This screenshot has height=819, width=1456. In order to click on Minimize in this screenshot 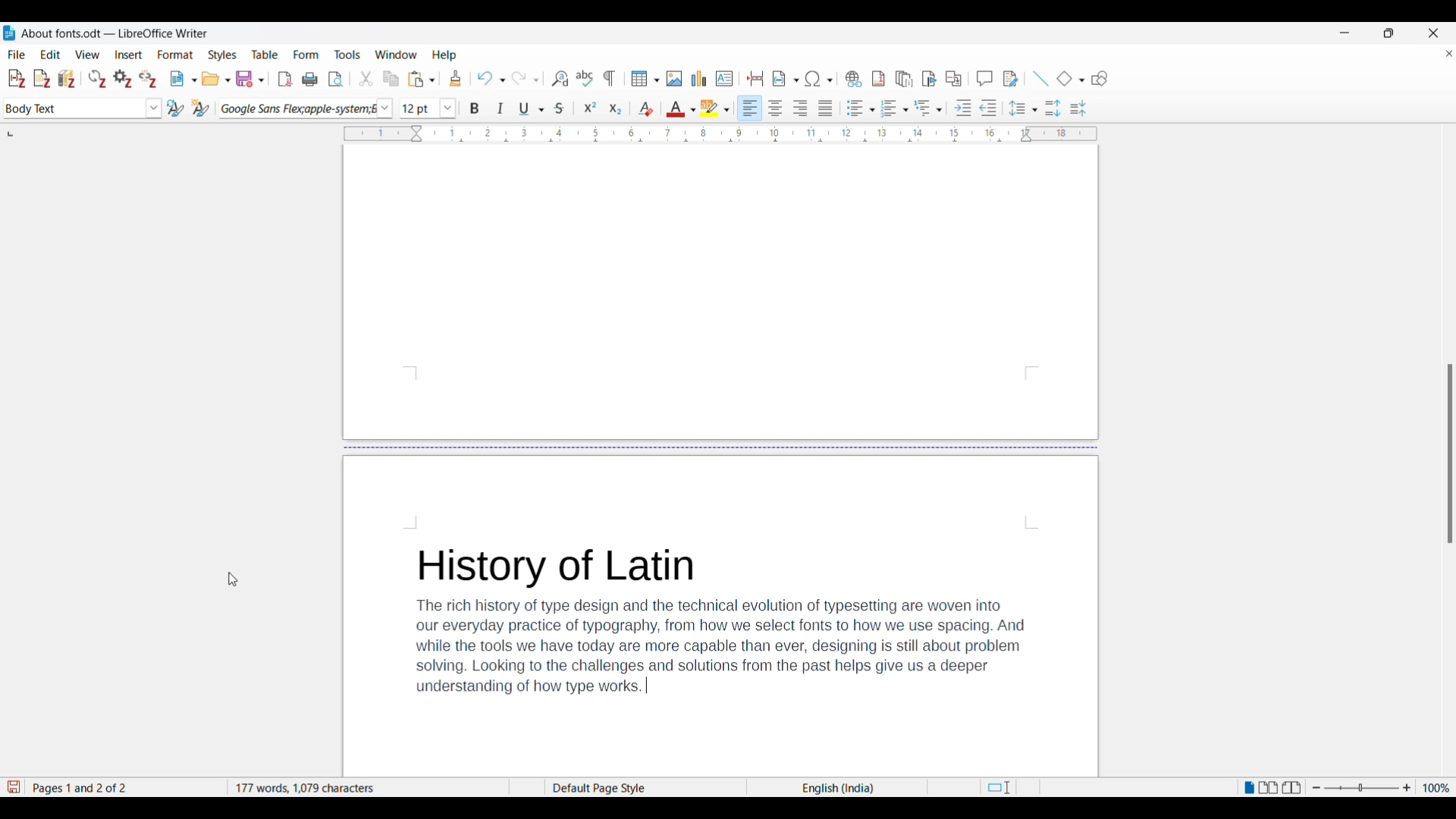, I will do `click(1345, 33)`.